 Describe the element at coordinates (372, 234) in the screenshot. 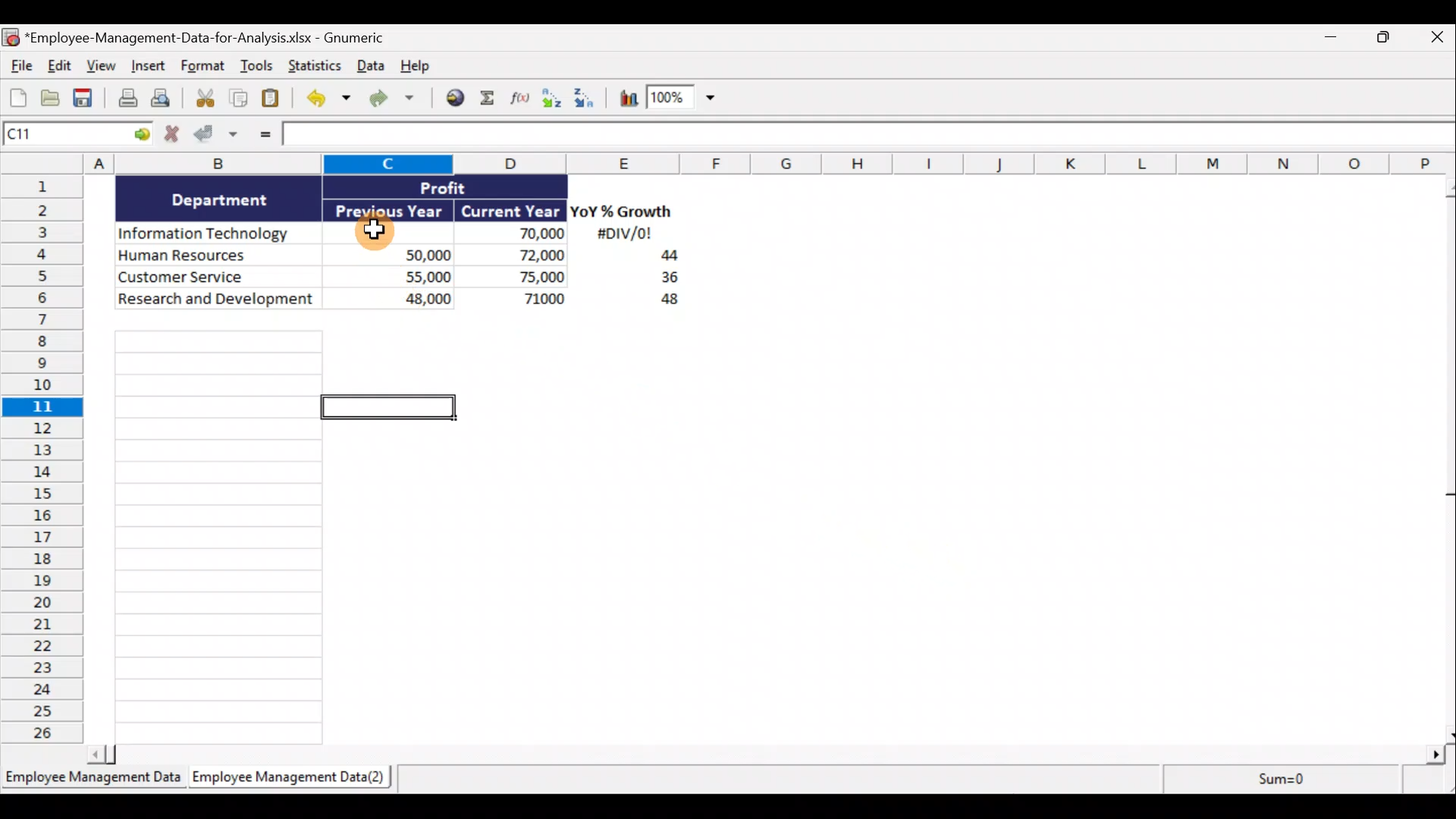

I see `Cursor` at that location.